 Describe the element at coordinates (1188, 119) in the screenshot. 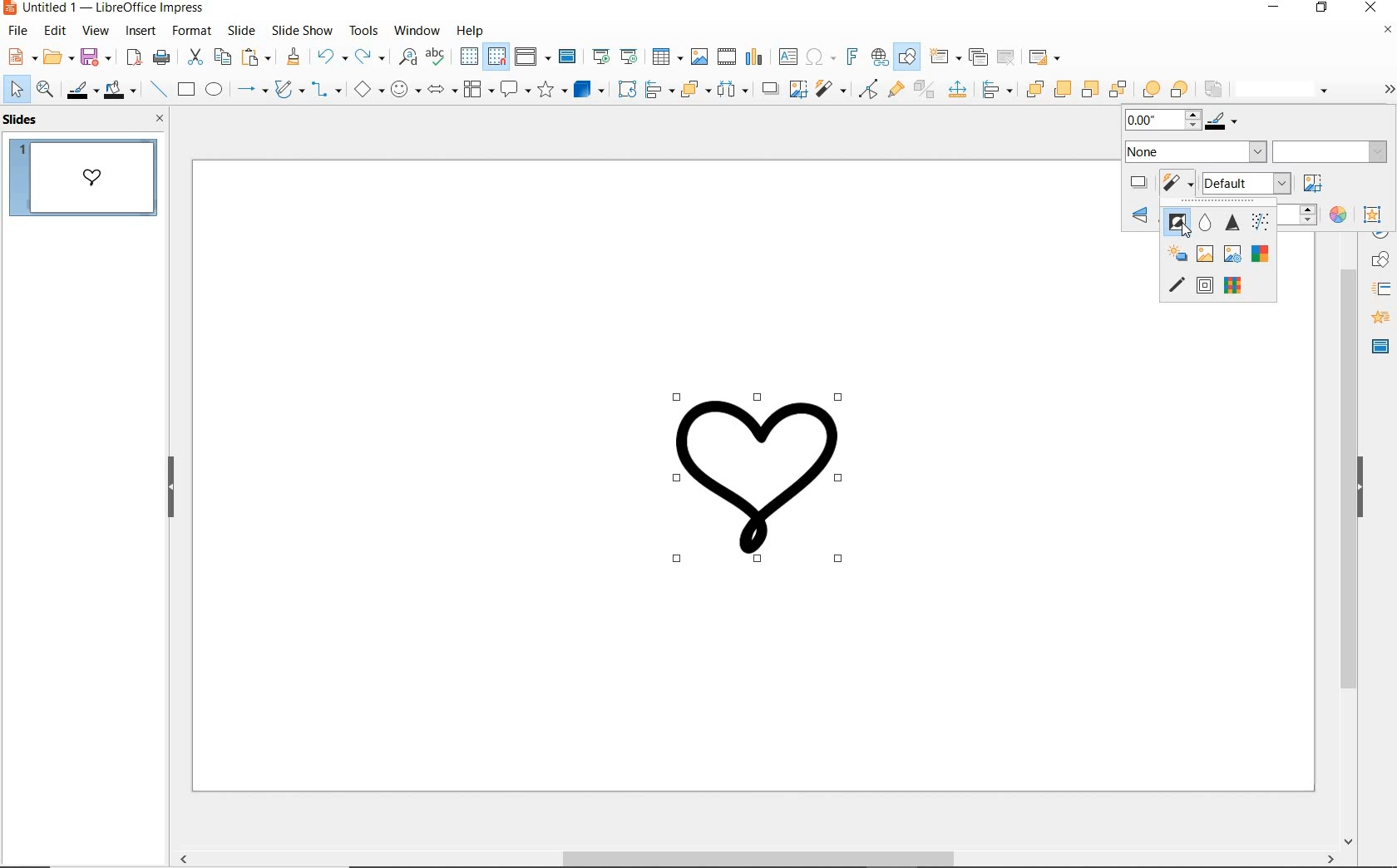

I see `Line color and thickness` at that location.